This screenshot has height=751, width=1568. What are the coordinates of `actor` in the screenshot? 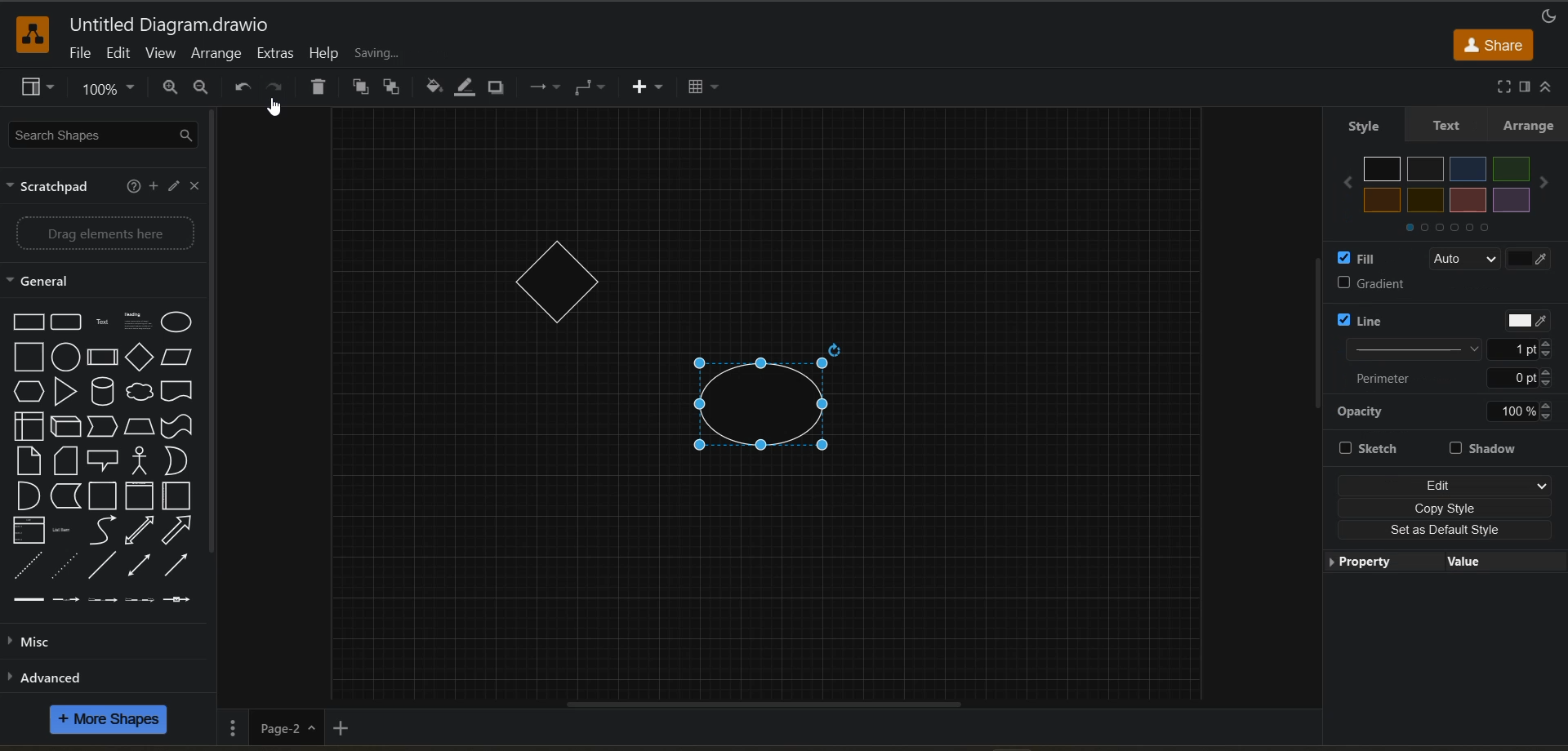 It's located at (140, 461).